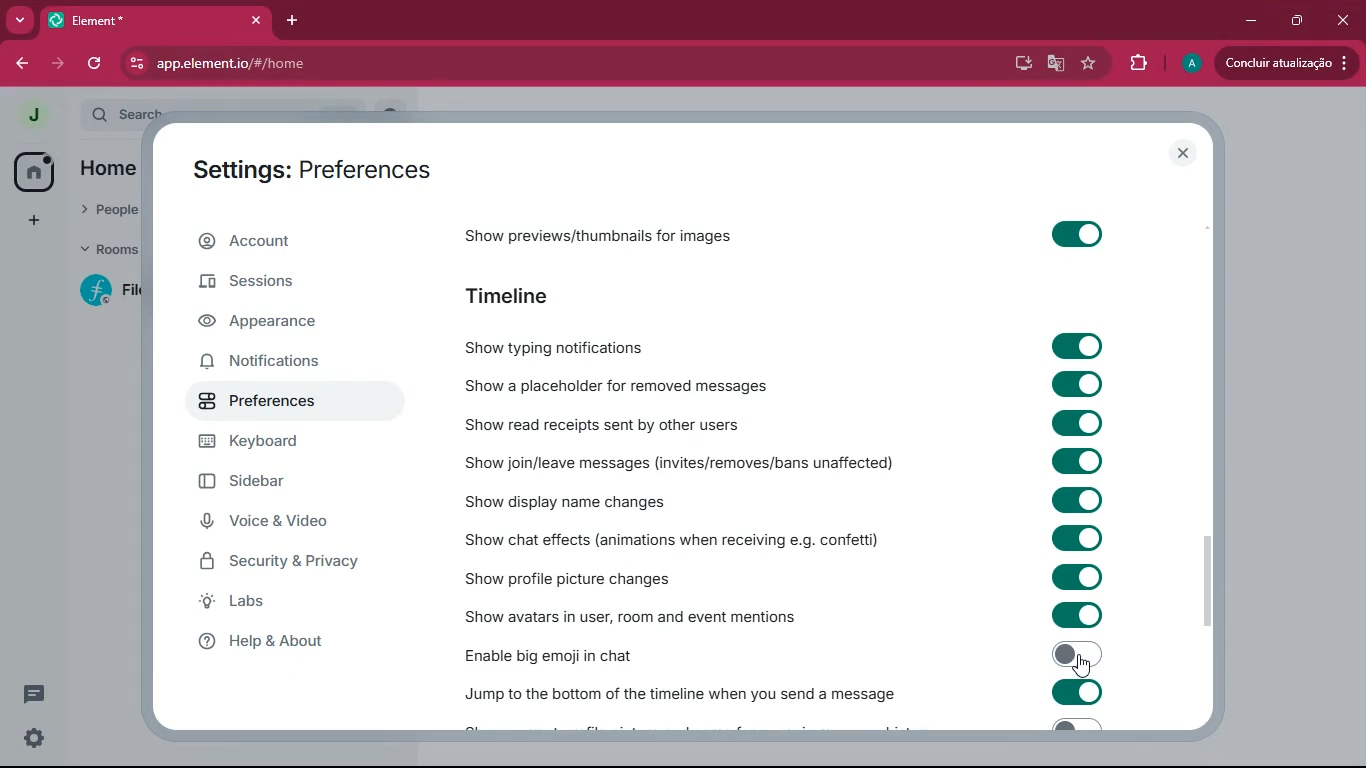 This screenshot has height=768, width=1366. What do you see at coordinates (1215, 580) in the screenshot?
I see `Vertical scrollbar` at bounding box center [1215, 580].